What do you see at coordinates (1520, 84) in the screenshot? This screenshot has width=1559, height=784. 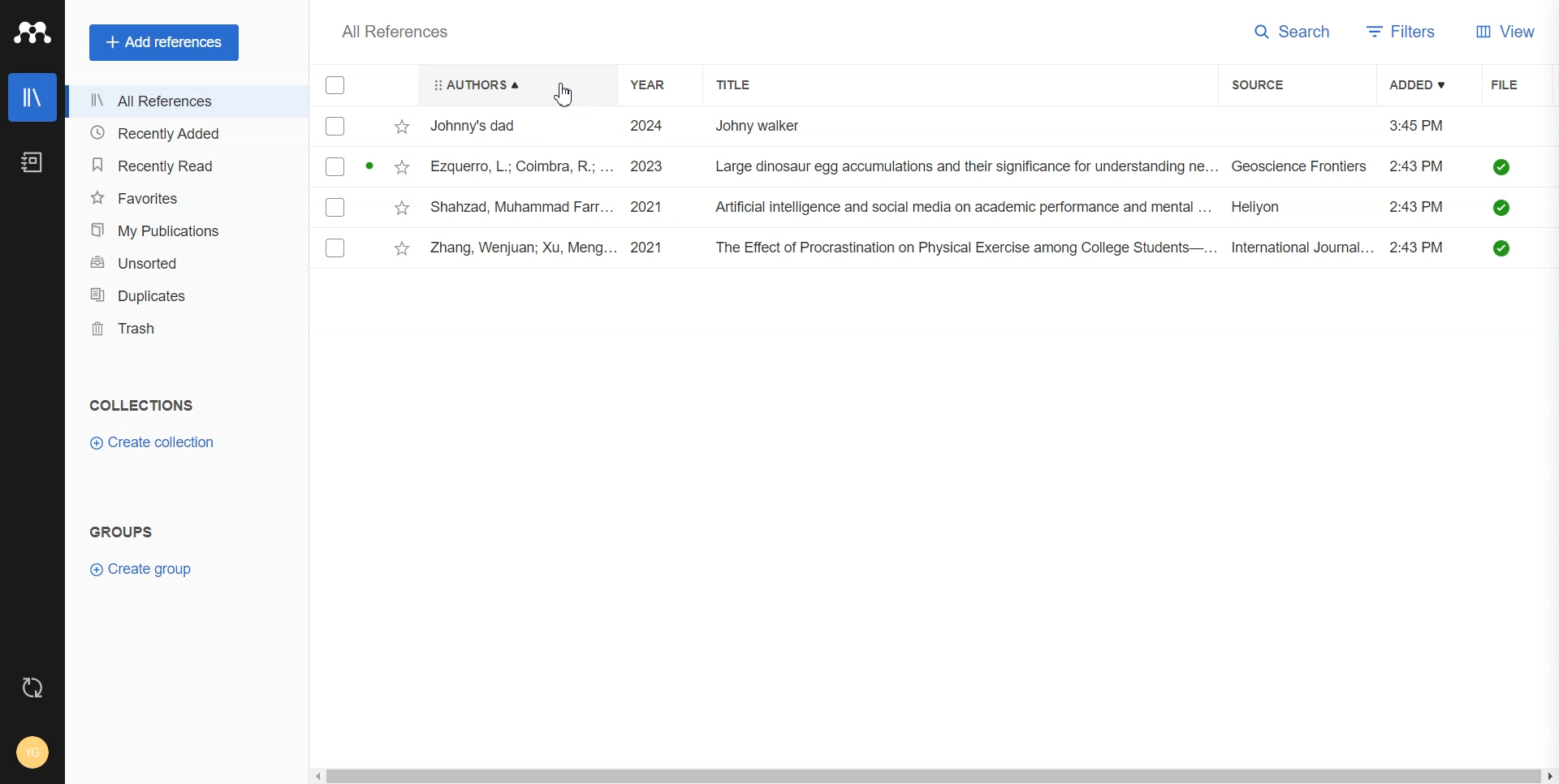 I see `File` at bounding box center [1520, 84].